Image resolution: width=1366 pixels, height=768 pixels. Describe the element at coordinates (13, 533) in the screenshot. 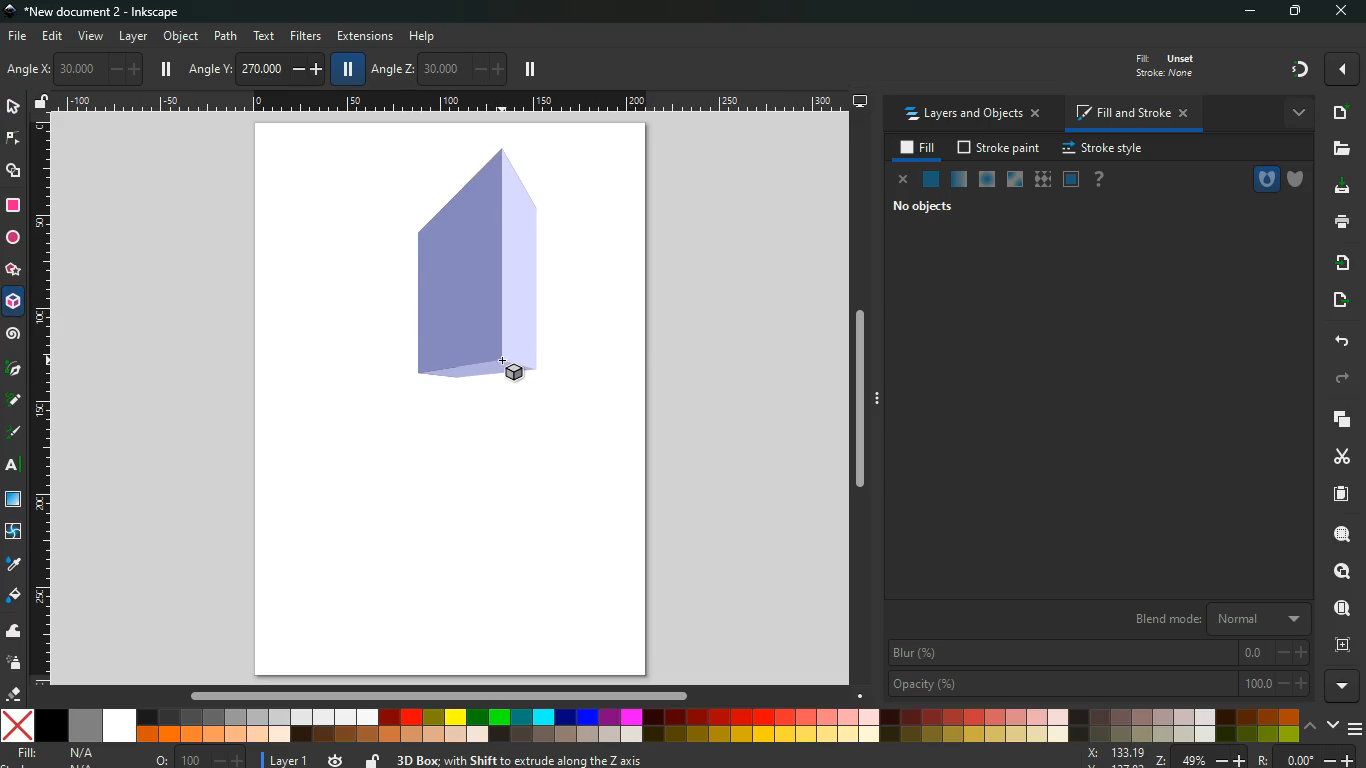

I see `twist` at that location.